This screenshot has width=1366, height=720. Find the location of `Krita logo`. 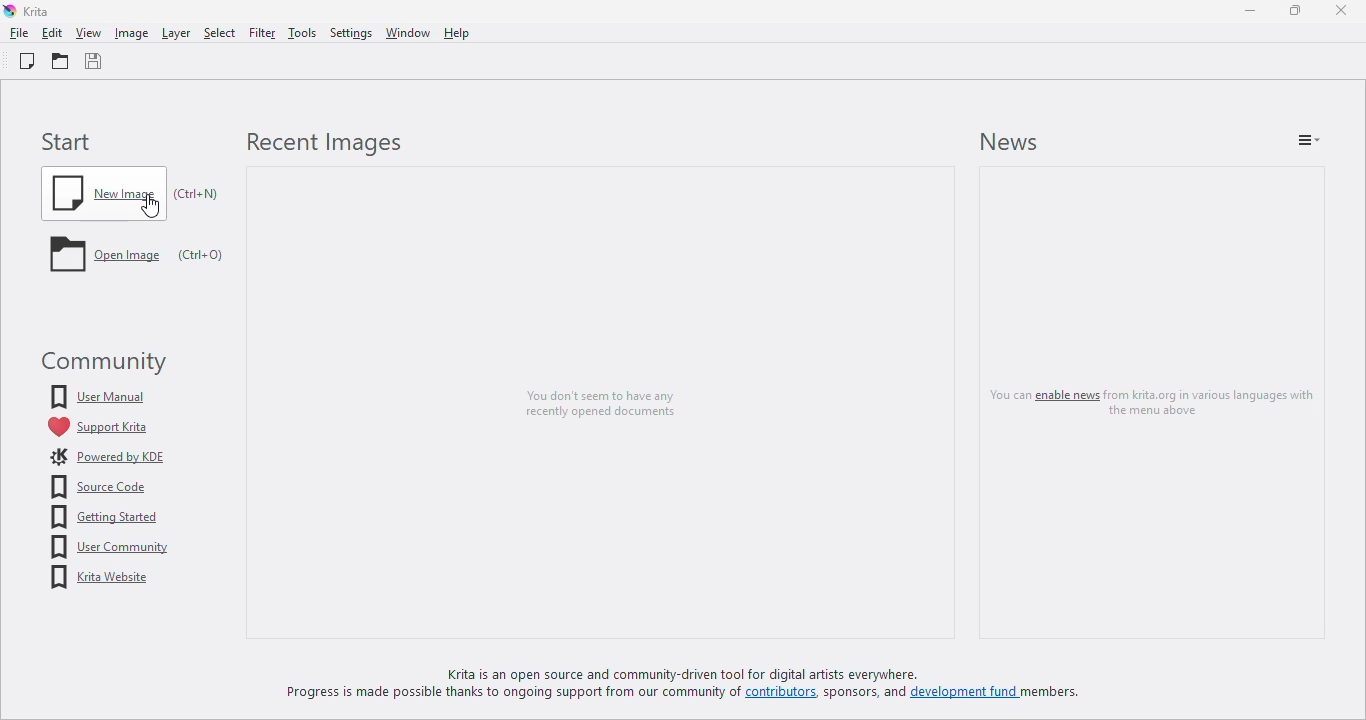

Krita logo is located at coordinates (10, 11).